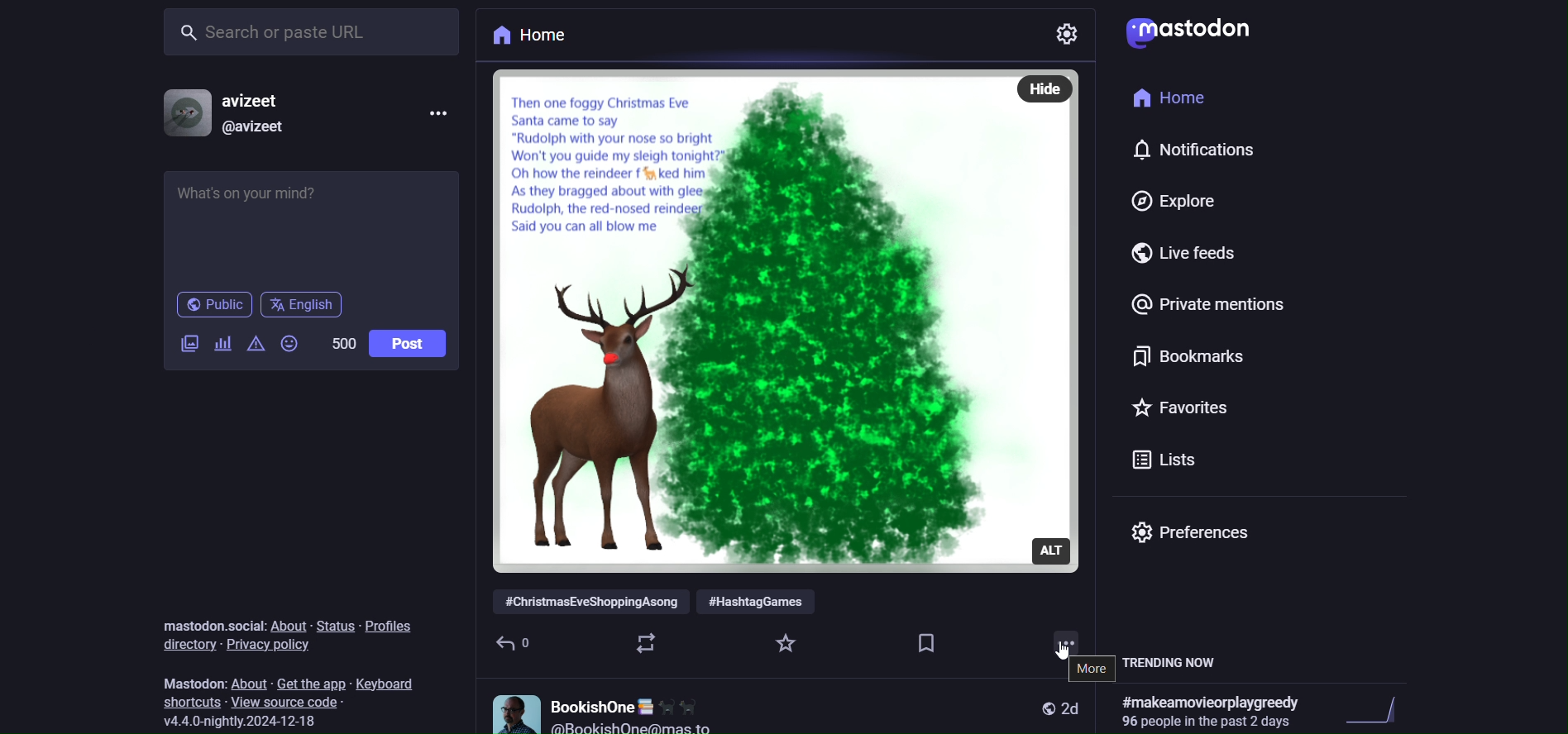 This screenshot has height=734, width=1568. I want to click on #ChristmasEveShoppingAsong, so click(592, 601).